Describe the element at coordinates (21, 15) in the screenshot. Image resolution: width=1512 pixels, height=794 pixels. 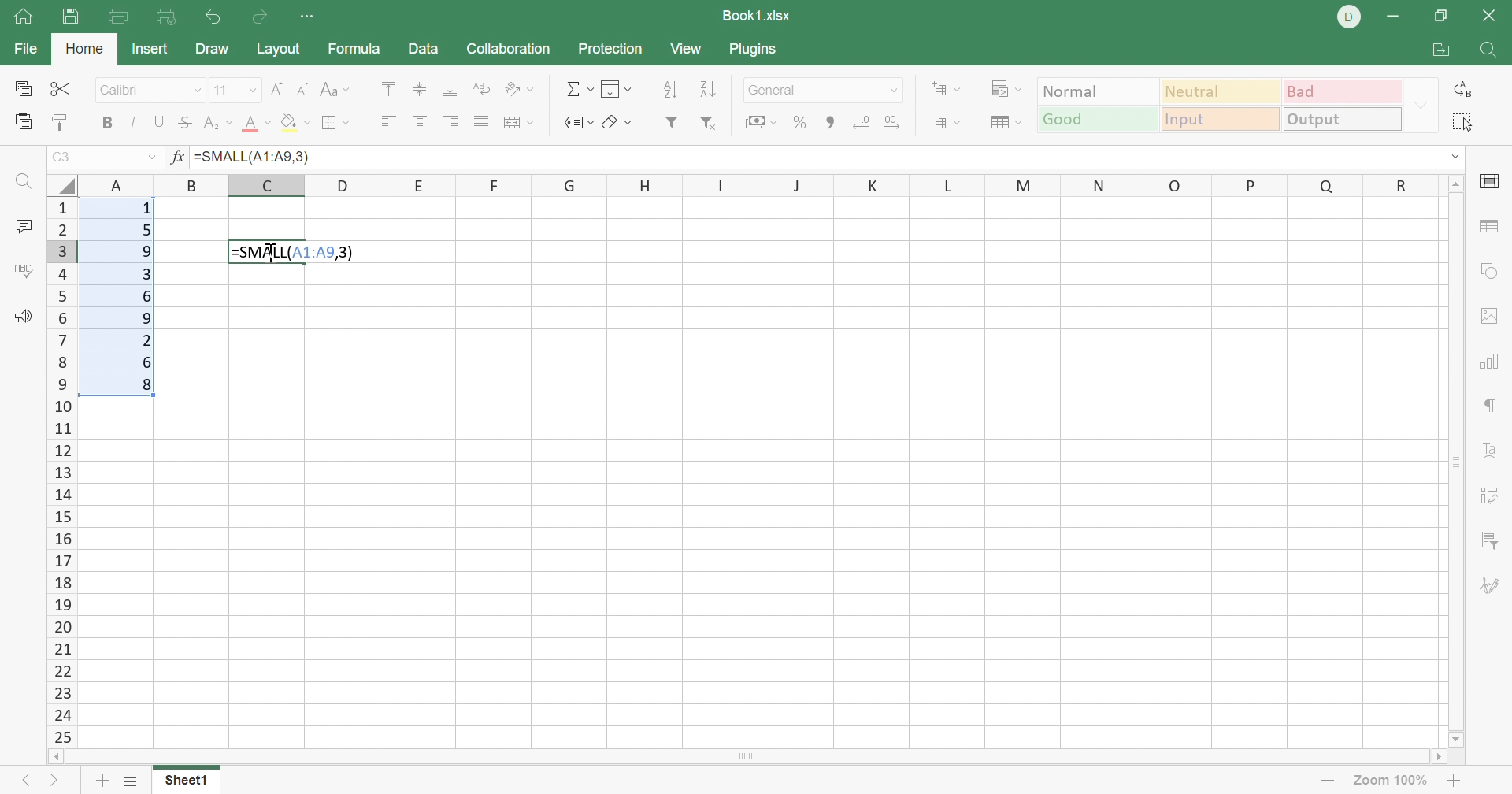
I see `Show main window` at that location.